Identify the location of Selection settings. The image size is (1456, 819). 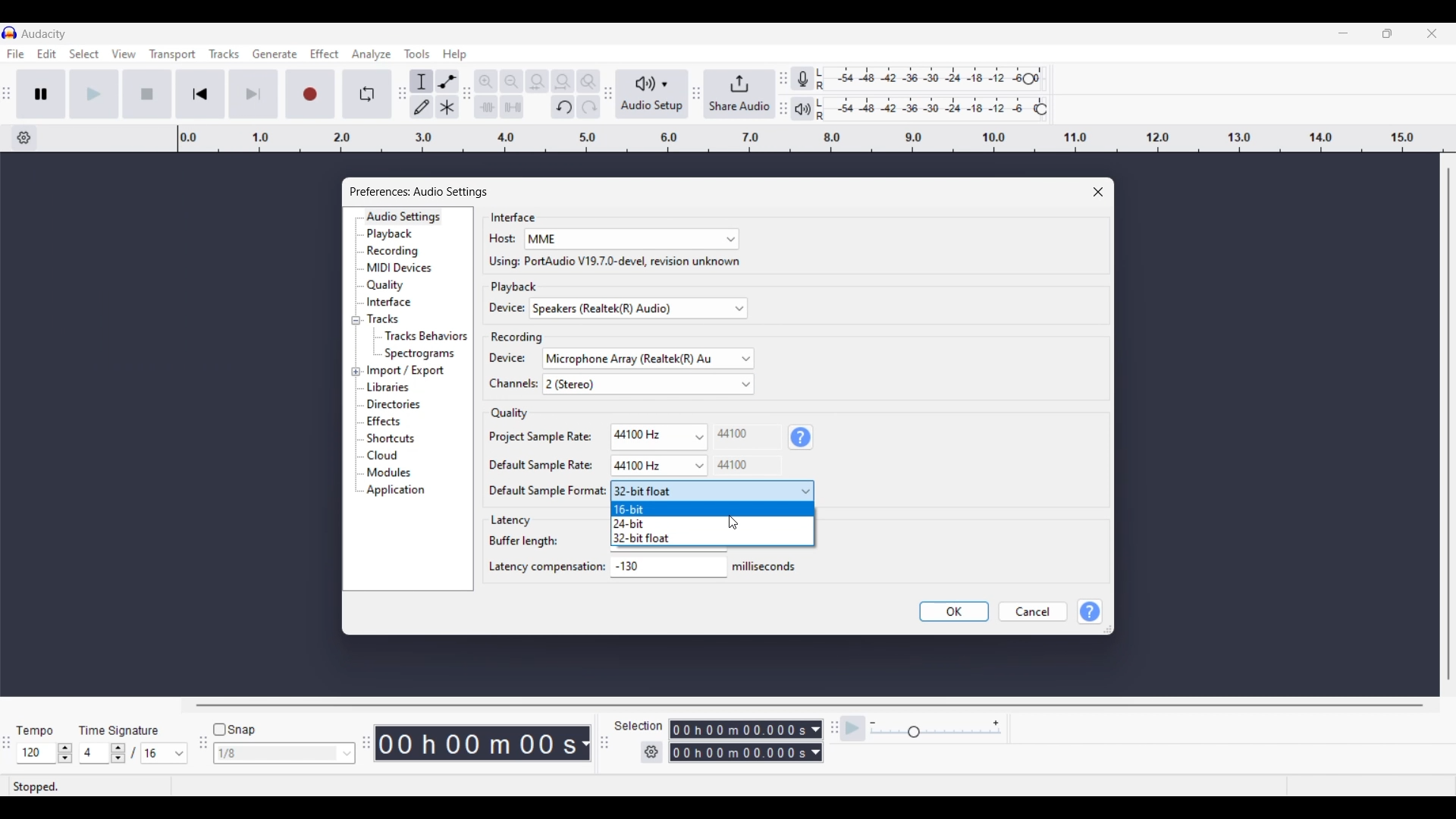
(652, 752).